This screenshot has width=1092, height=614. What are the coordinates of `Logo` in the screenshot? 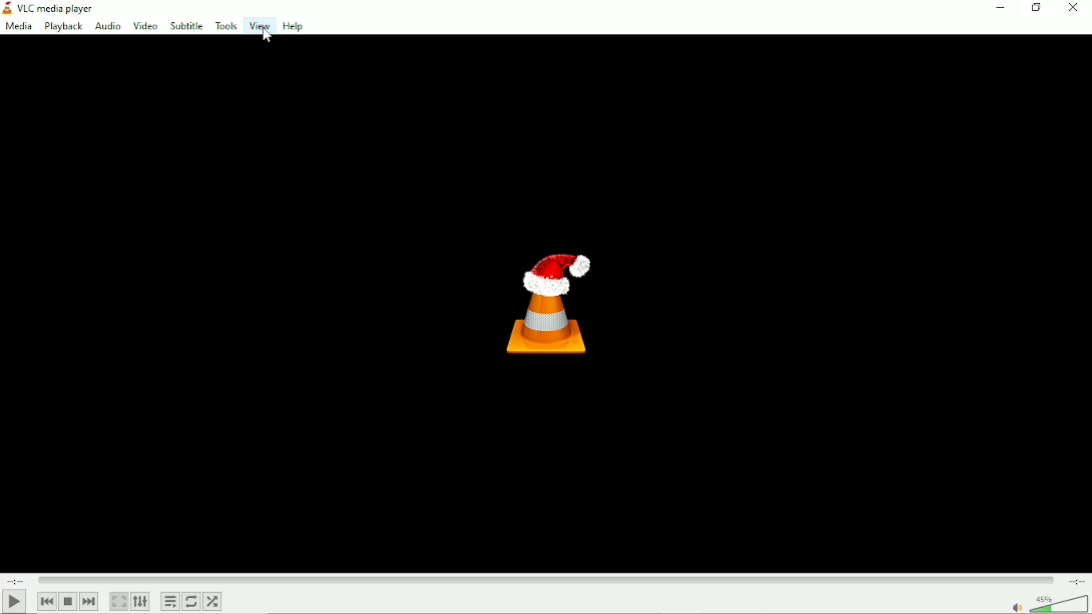 It's located at (545, 306).